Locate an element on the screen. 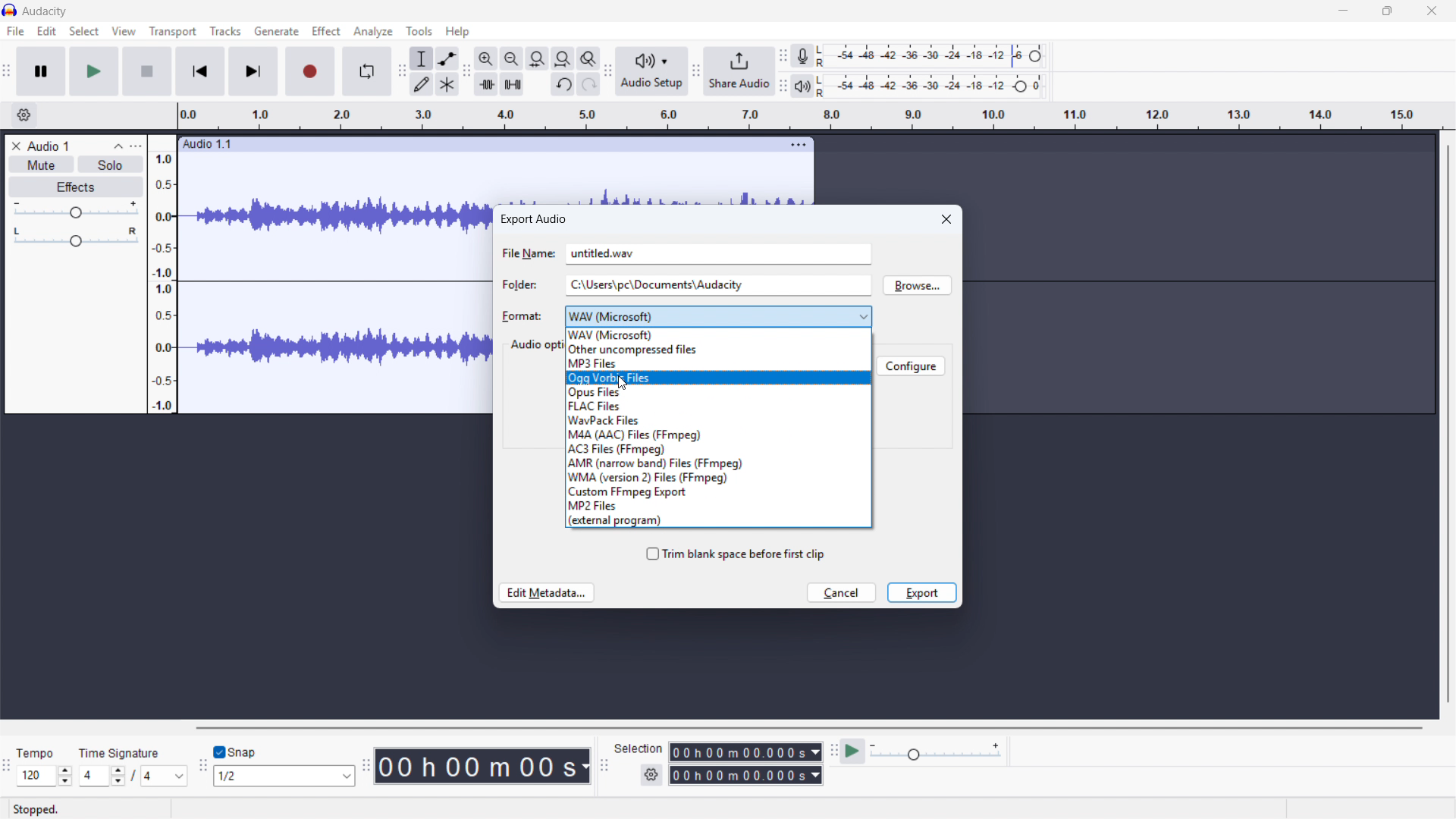  Effect  is located at coordinates (325, 30).